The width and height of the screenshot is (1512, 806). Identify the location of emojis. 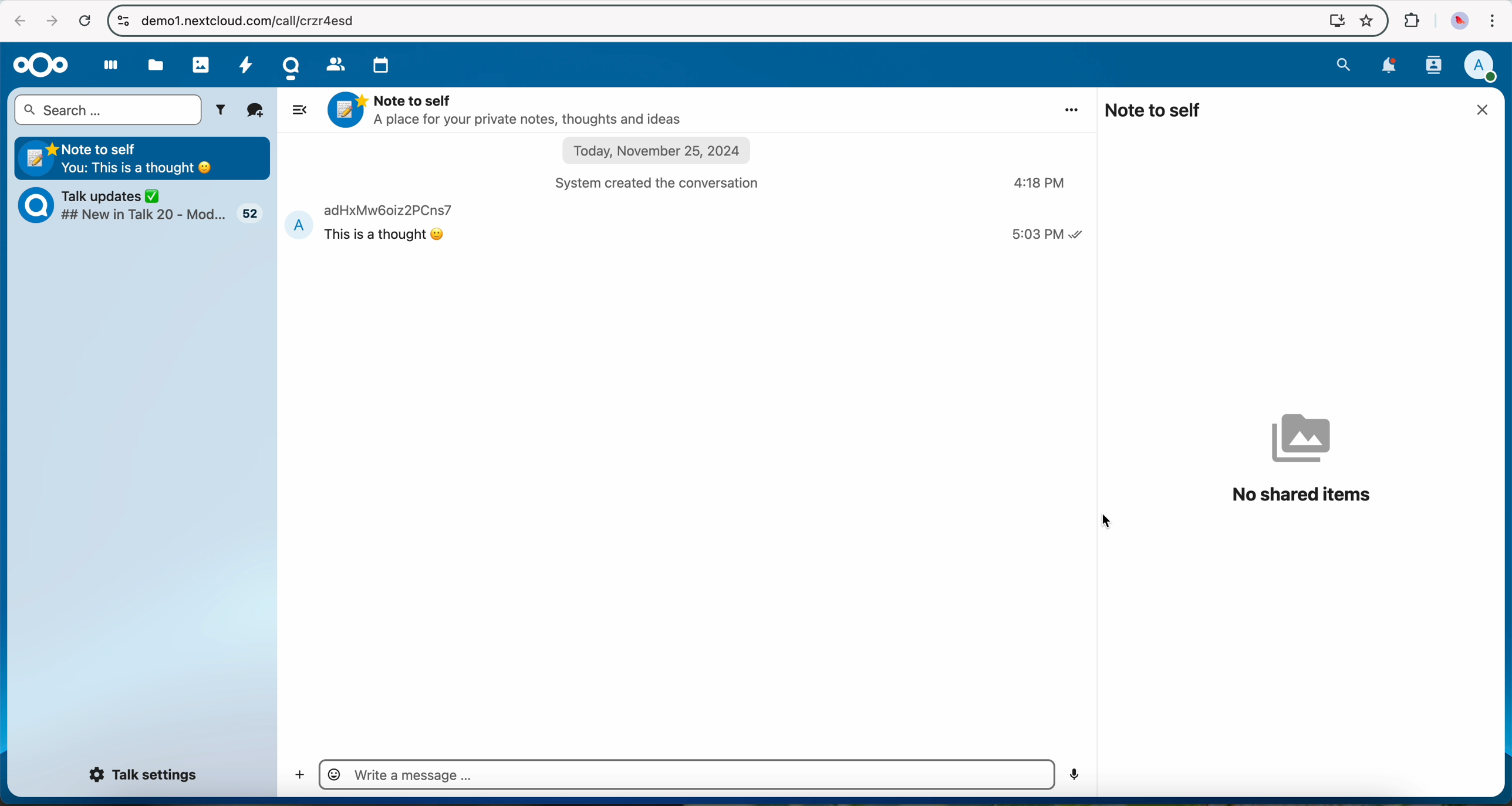
(333, 774).